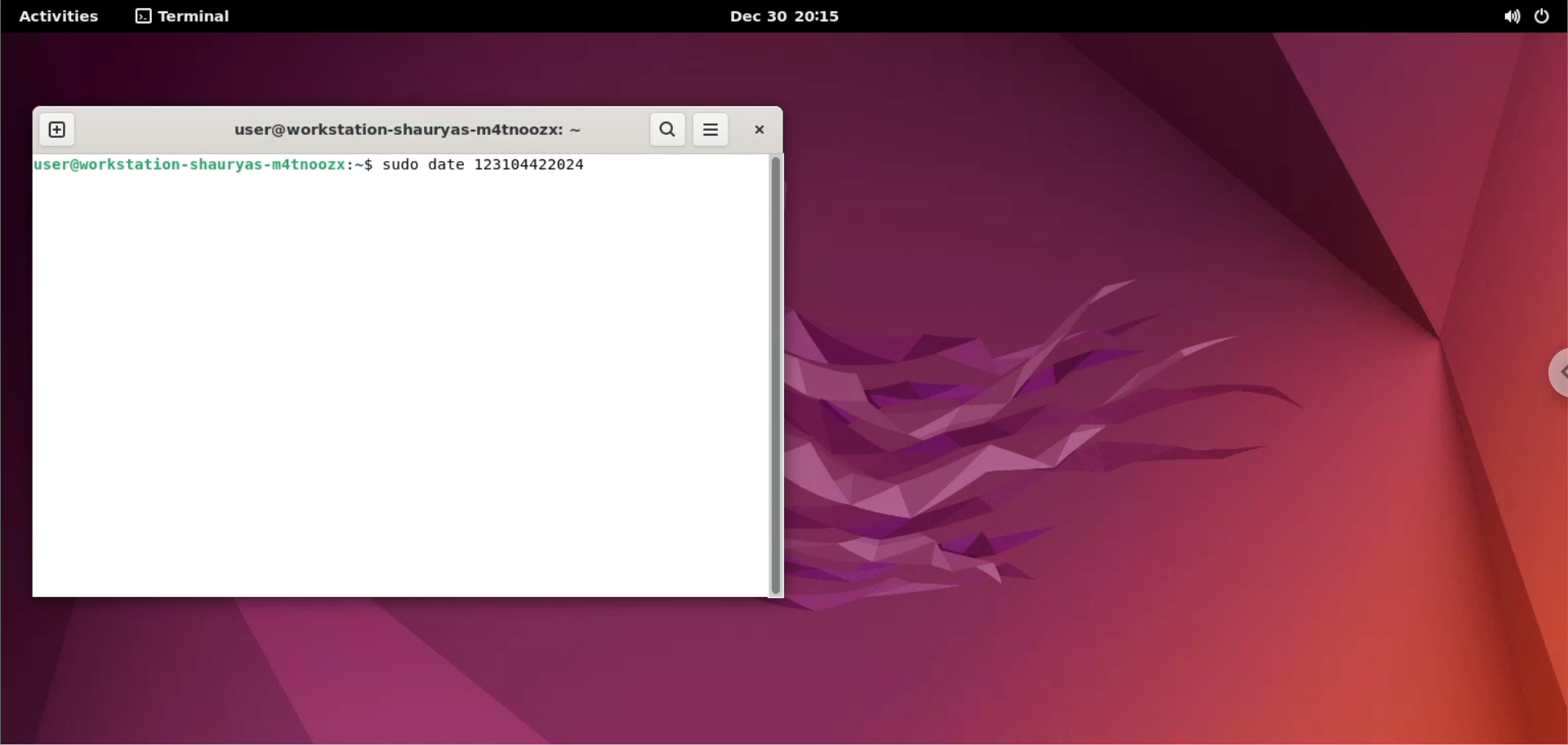 This screenshot has height=745, width=1568. I want to click on new tab, so click(57, 131).